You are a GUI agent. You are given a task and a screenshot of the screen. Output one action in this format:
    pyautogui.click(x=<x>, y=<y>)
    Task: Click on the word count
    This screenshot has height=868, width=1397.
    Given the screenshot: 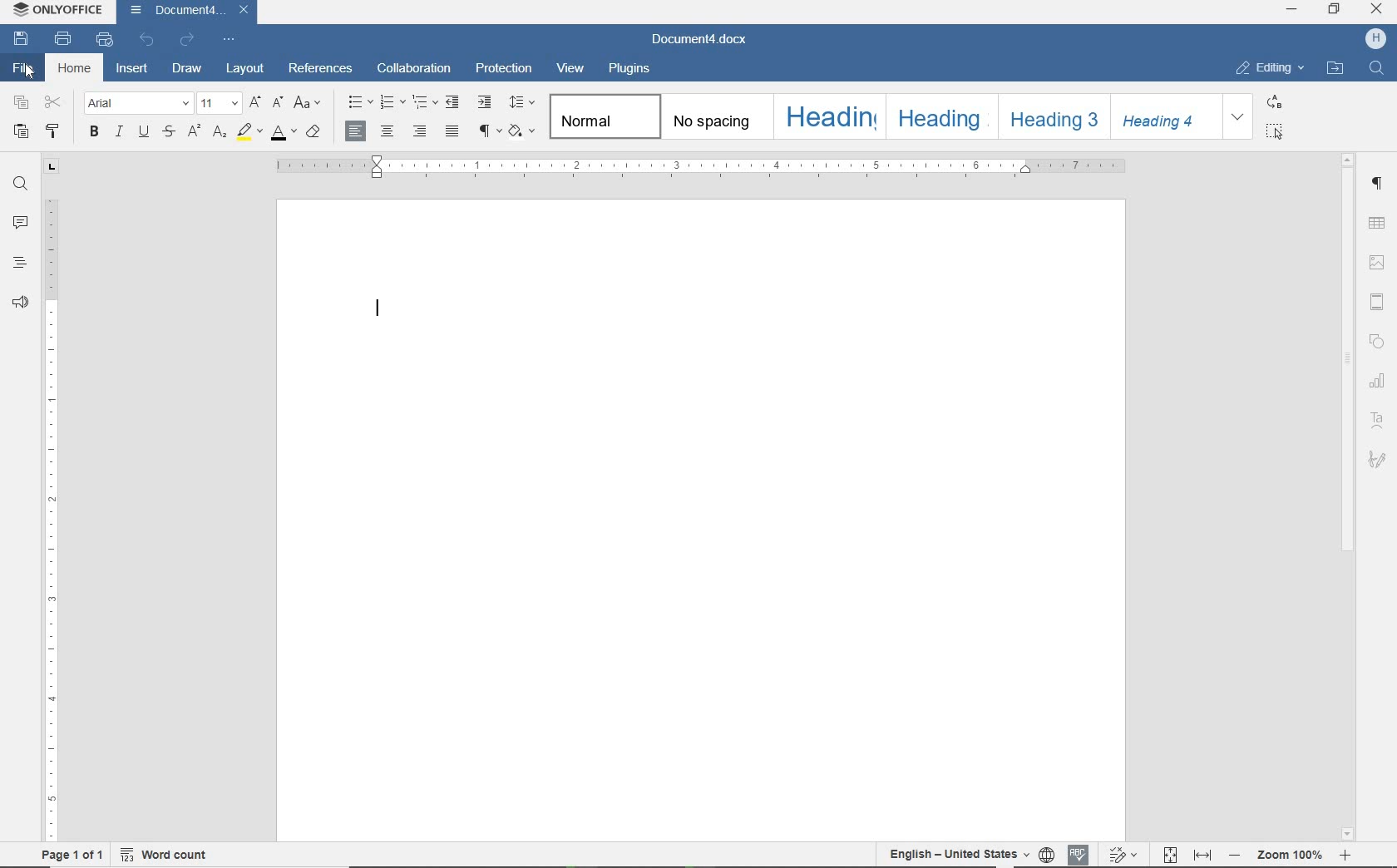 What is the action you would take?
    pyautogui.click(x=165, y=856)
    